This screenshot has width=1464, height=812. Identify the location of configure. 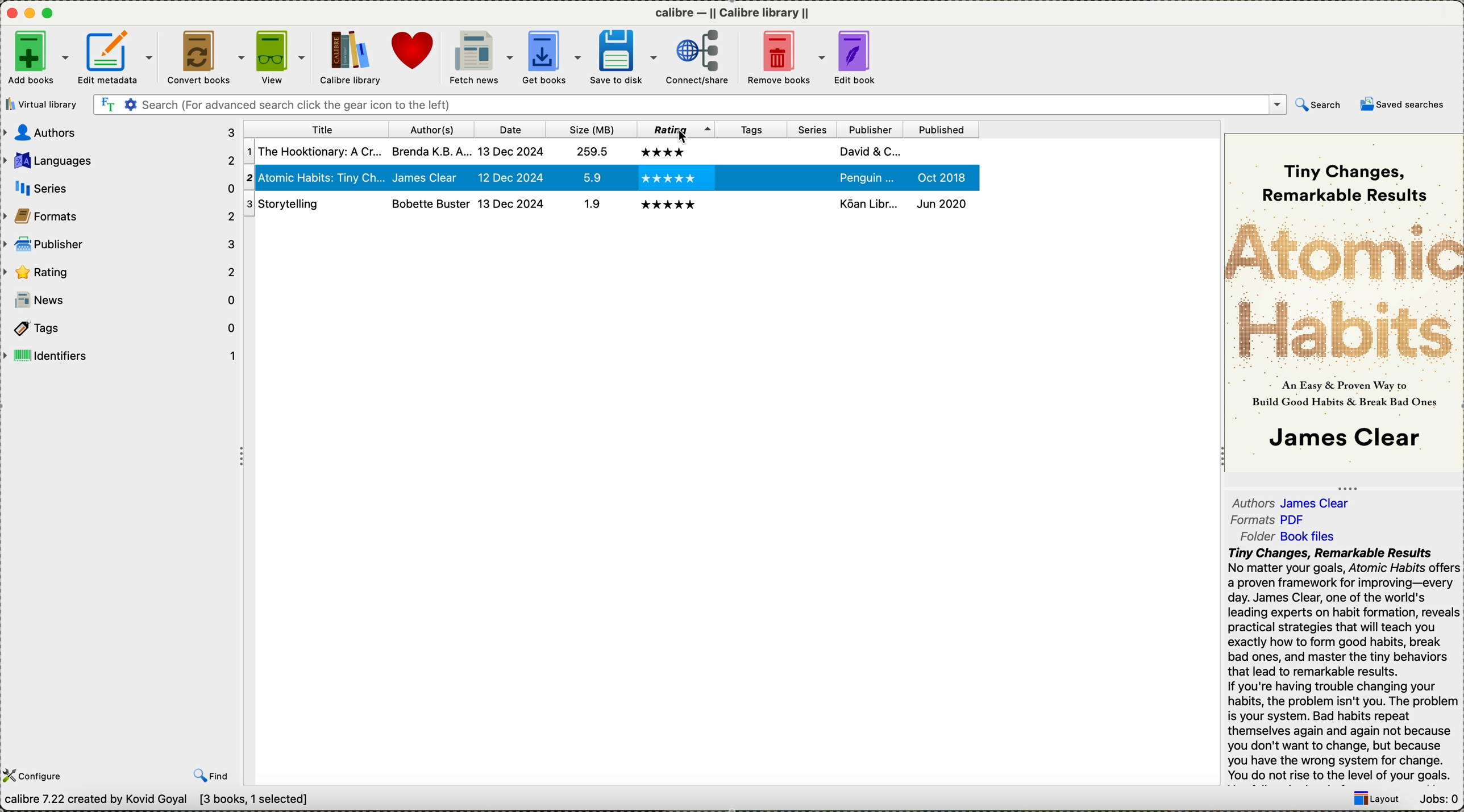
(38, 774).